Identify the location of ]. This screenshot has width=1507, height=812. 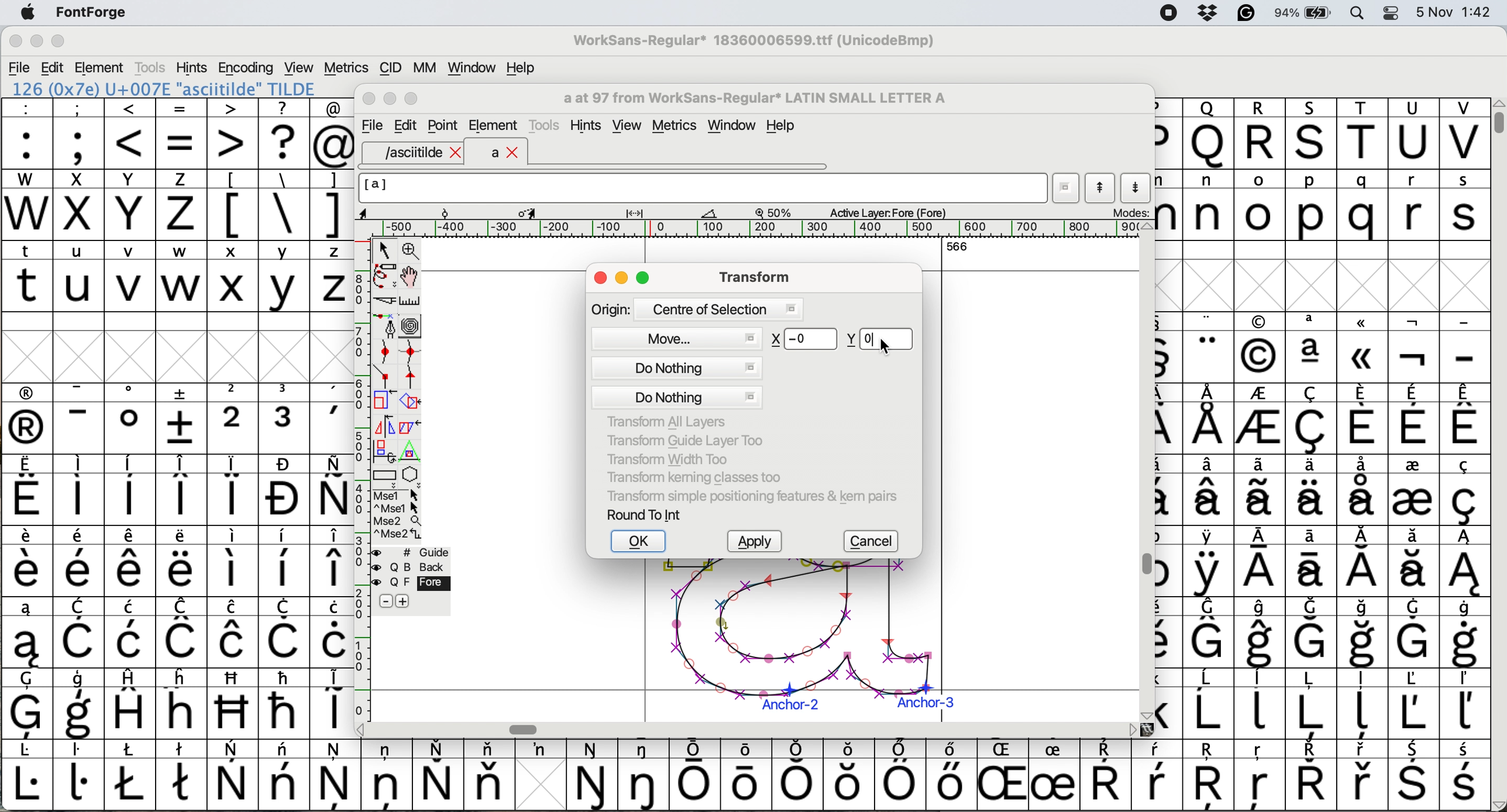
(331, 203).